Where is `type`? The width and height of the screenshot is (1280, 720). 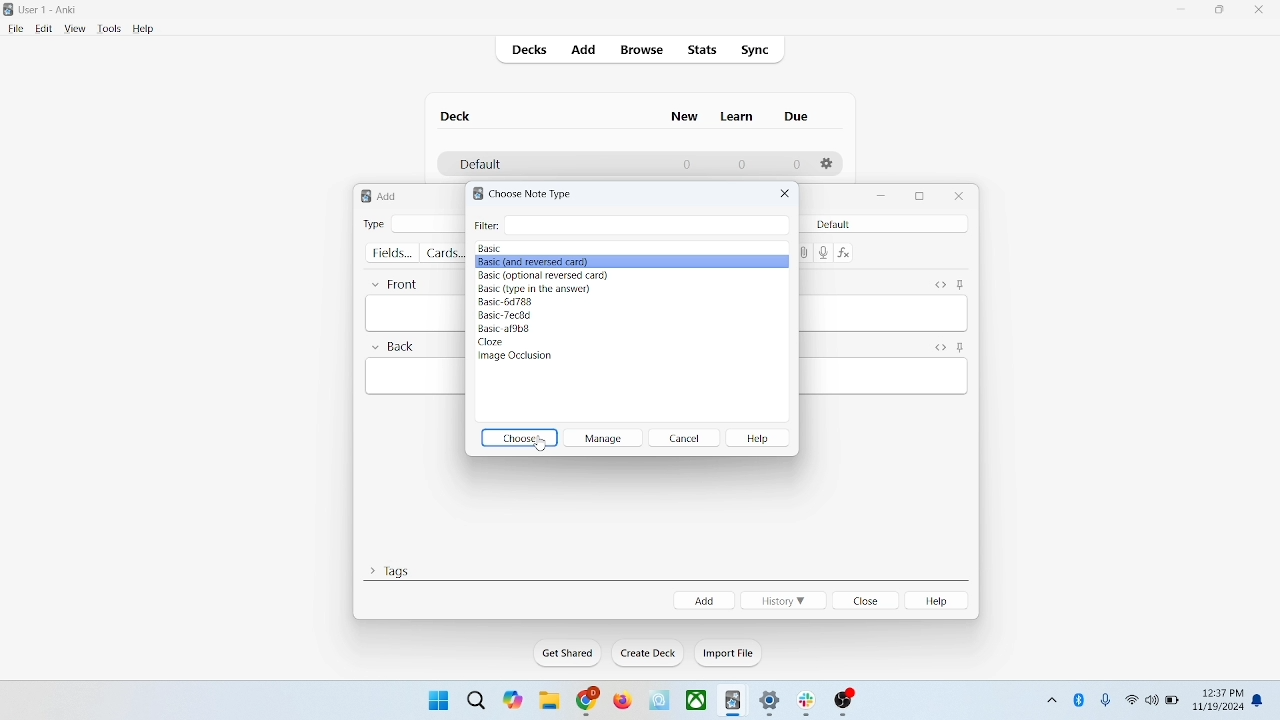
type is located at coordinates (373, 223).